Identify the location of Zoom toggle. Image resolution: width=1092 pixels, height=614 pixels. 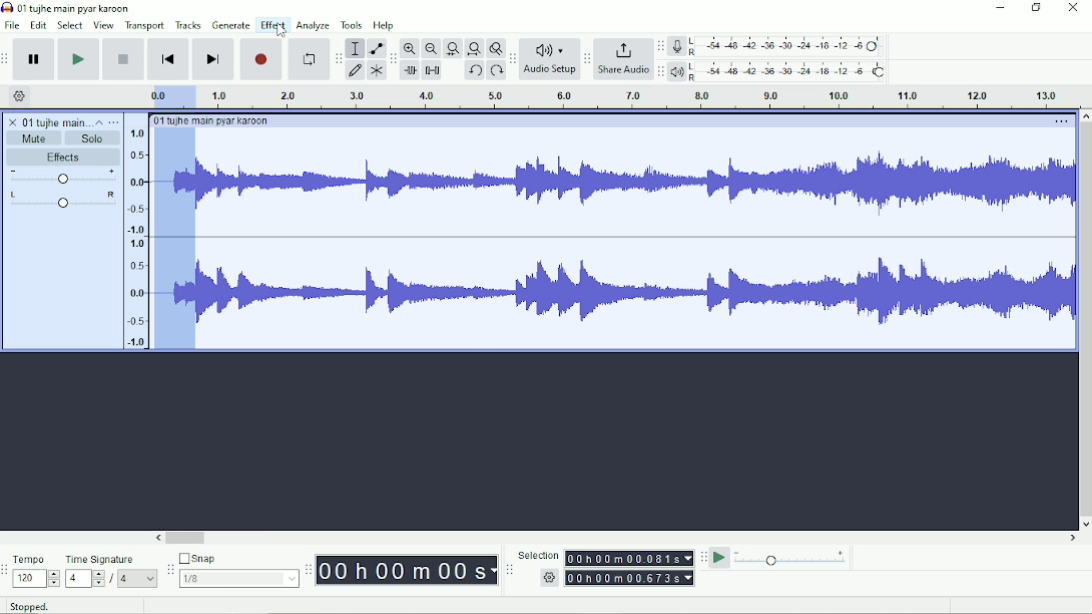
(495, 48).